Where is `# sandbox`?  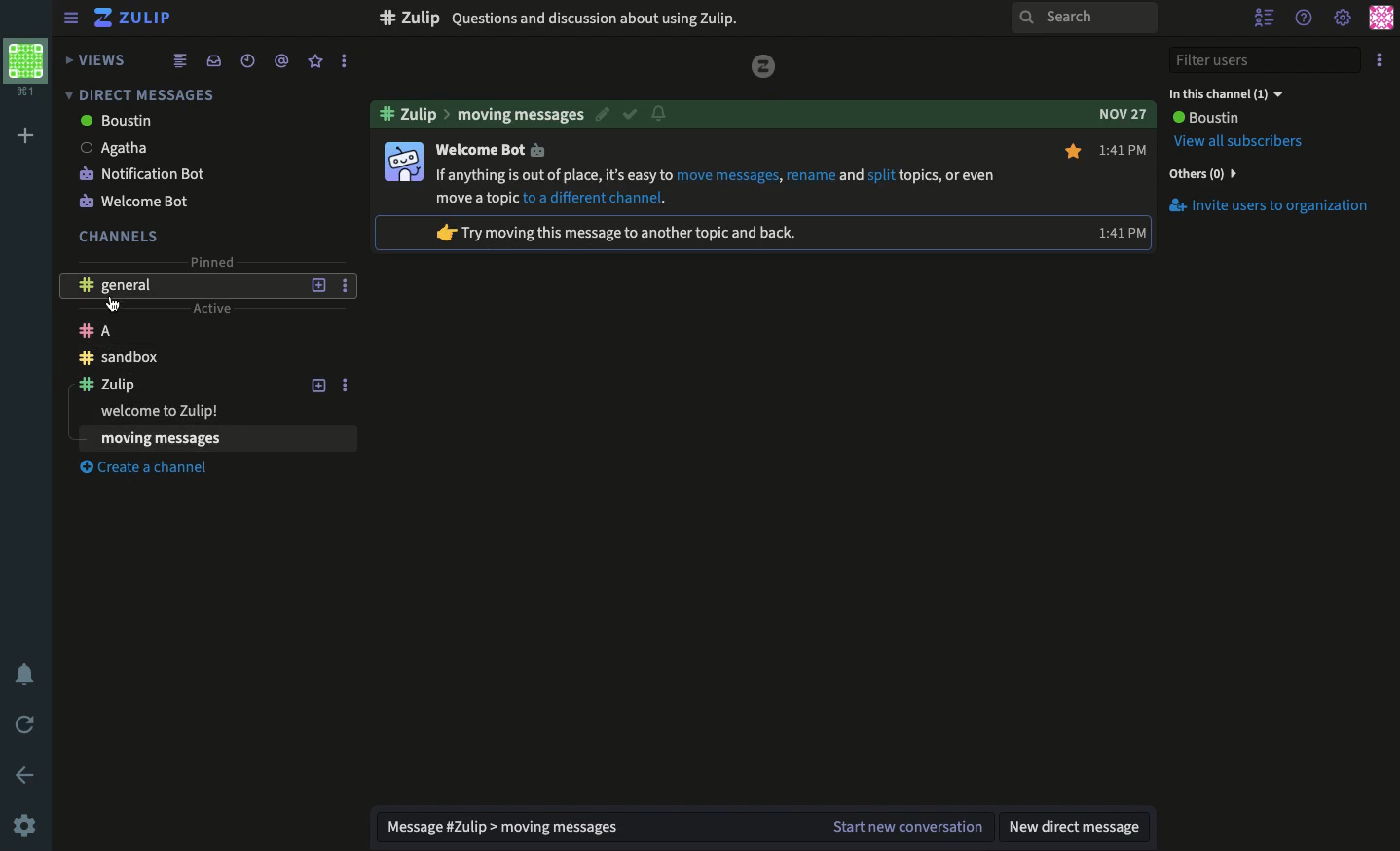 # sandbox is located at coordinates (413, 18).